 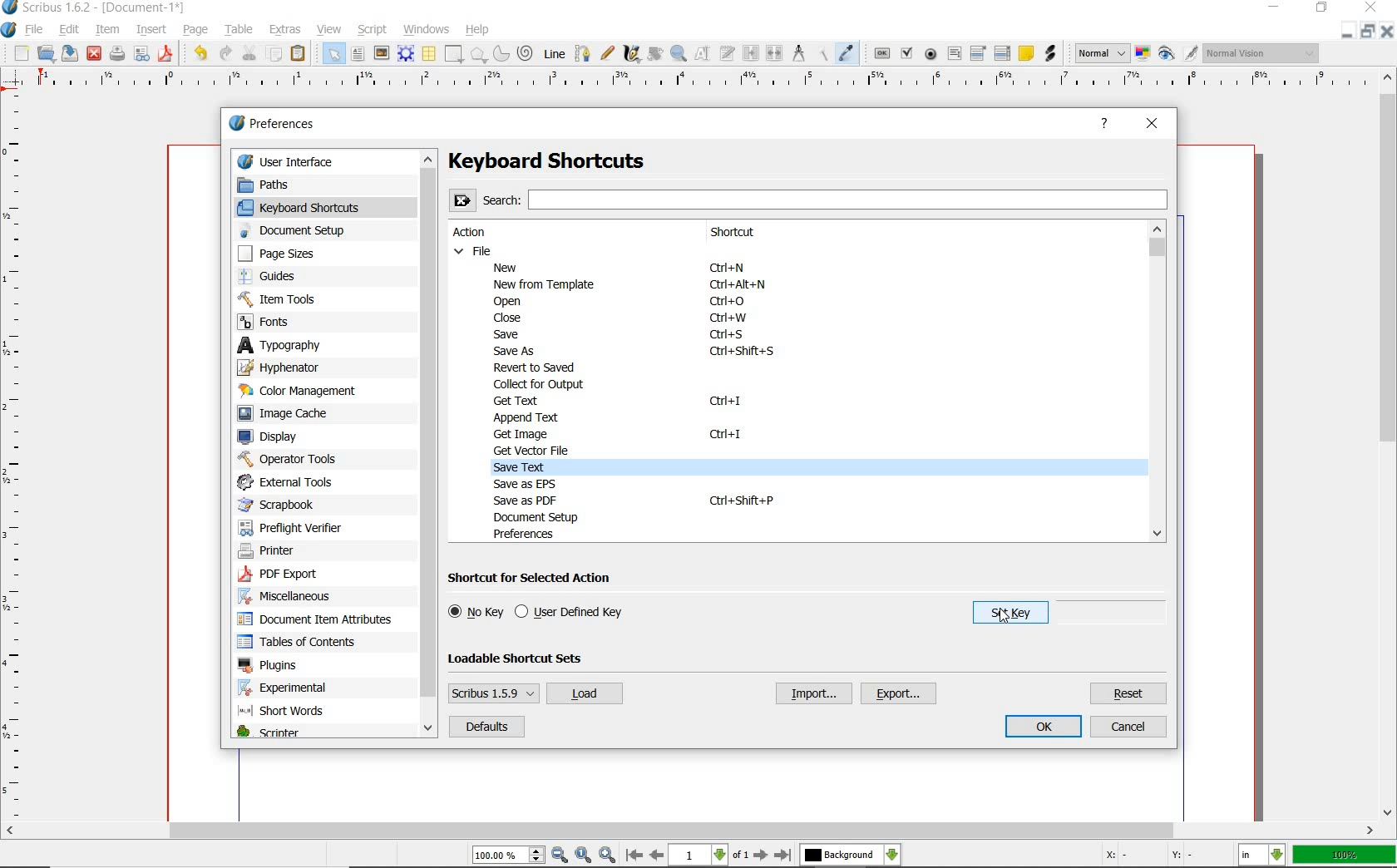 I want to click on Ctrl + I, so click(x=725, y=402).